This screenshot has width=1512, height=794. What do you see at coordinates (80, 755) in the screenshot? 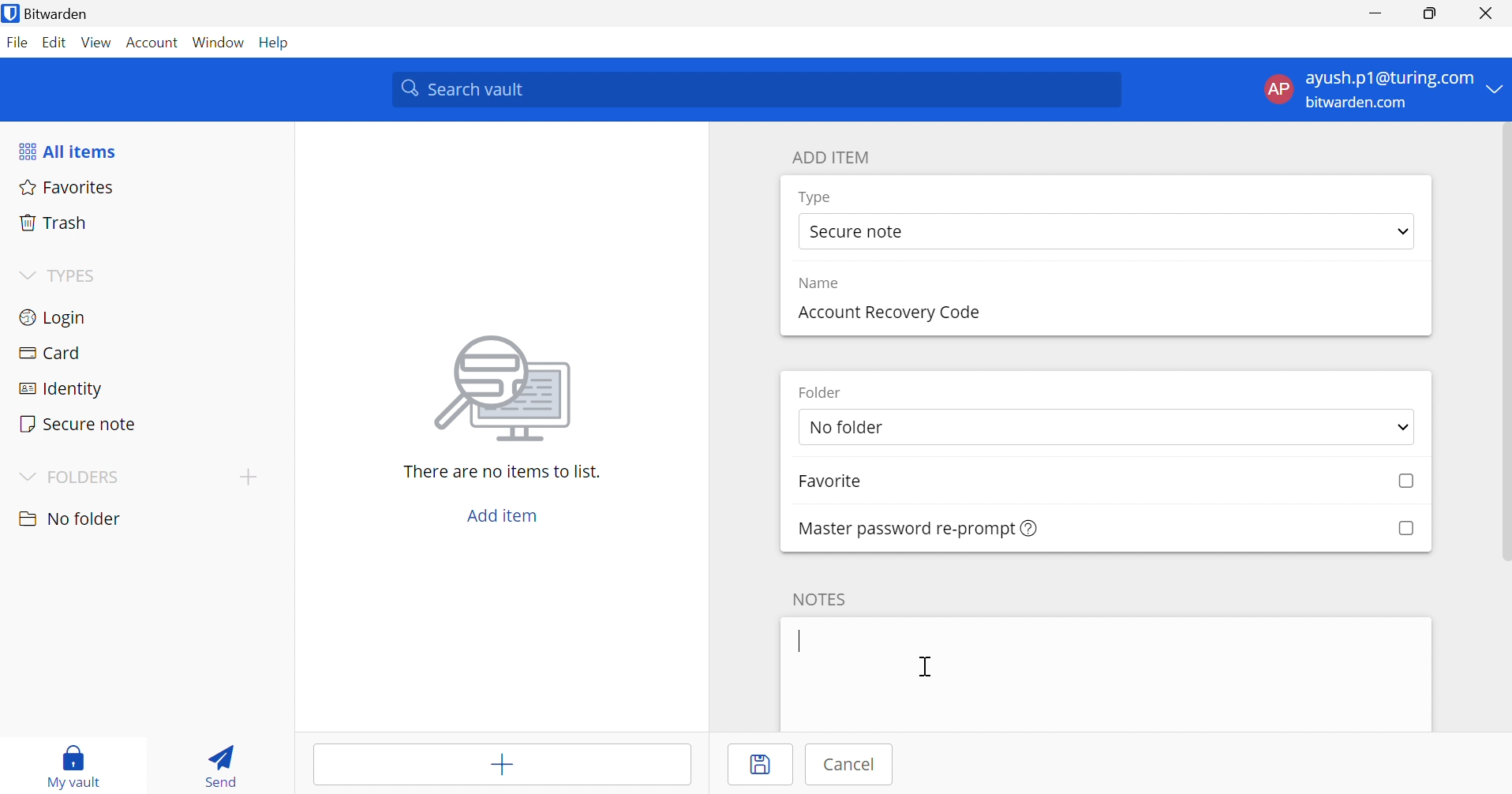
I see `My vault` at bounding box center [80, 755].